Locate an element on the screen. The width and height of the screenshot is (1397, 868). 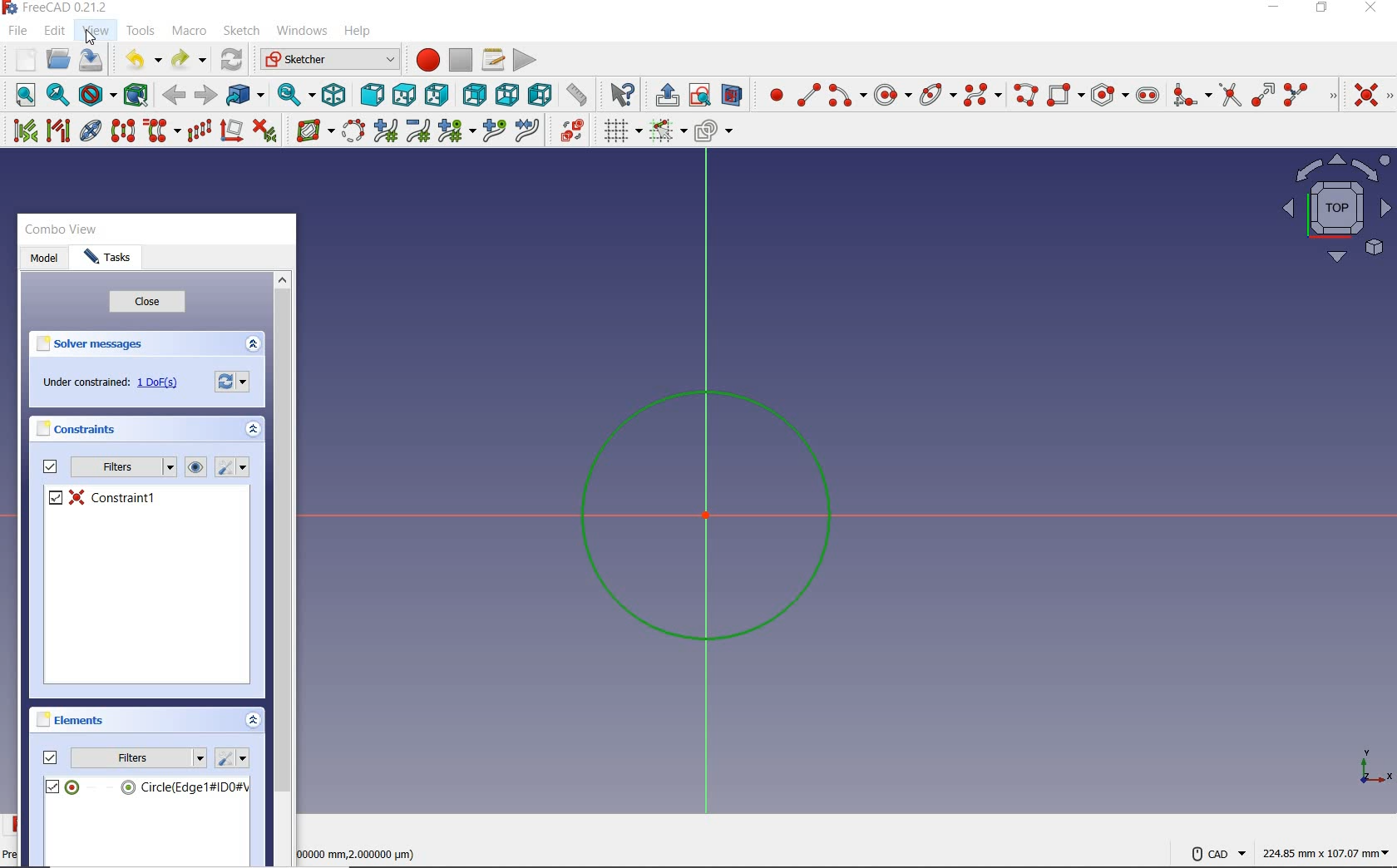
stop macro recording is located at coordinates (461, 59).